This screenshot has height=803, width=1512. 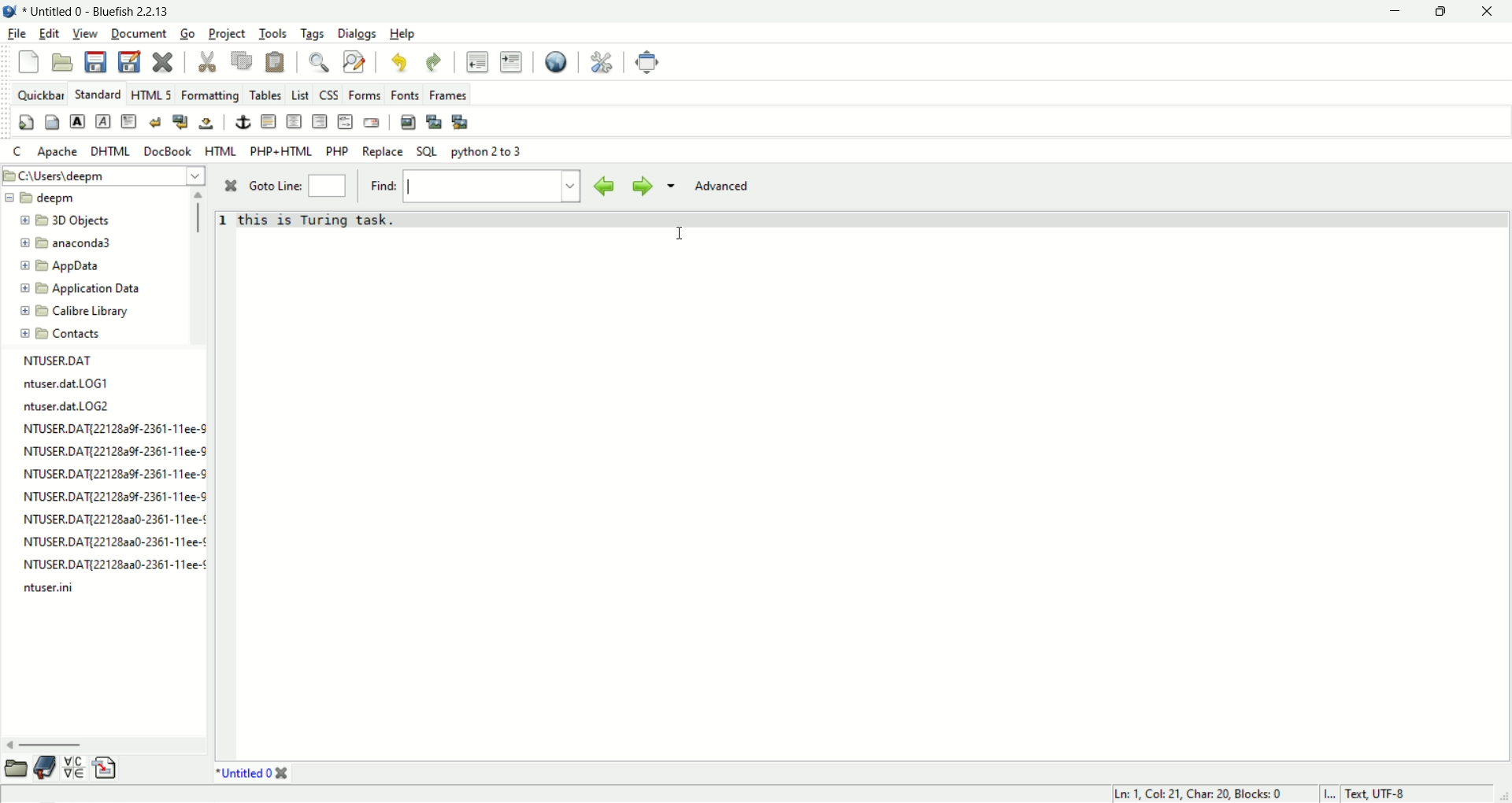 What do you see at coordinates (150, 94) in the screenshot?
I see `HTML 5` at bounding box center [150, 94].